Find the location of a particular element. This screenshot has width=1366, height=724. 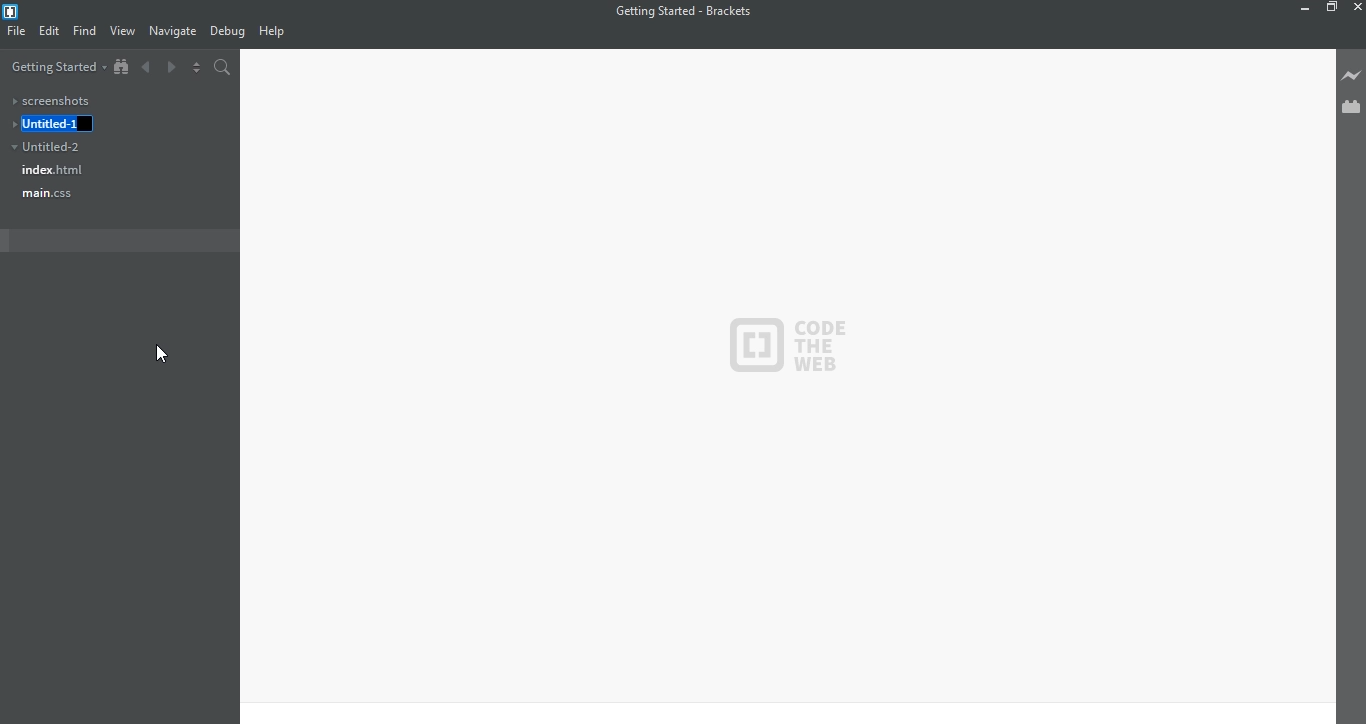

extension manger is located at coordinates (1350, 108).